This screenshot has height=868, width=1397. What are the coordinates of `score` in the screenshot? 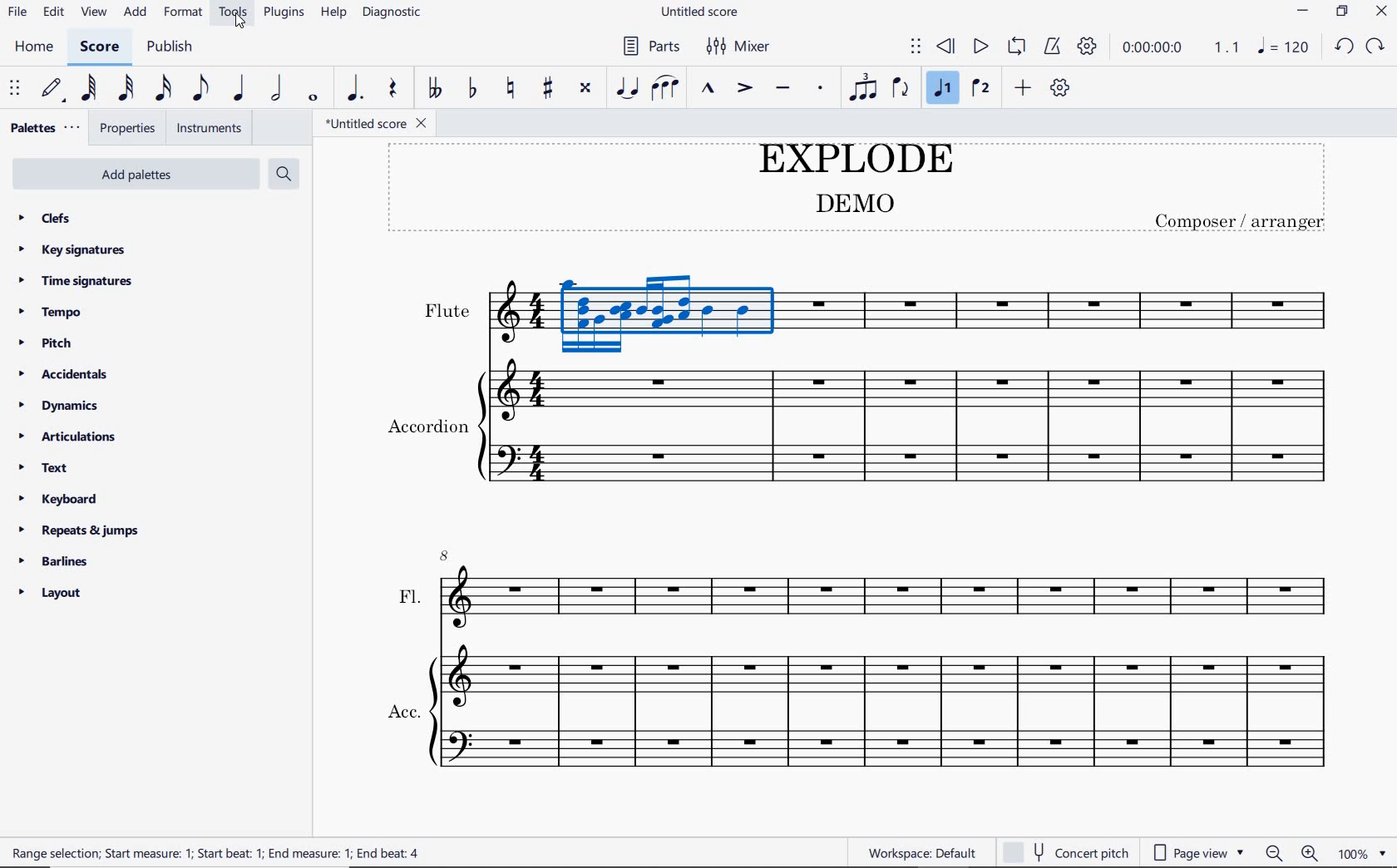 It's located at (100, 47).